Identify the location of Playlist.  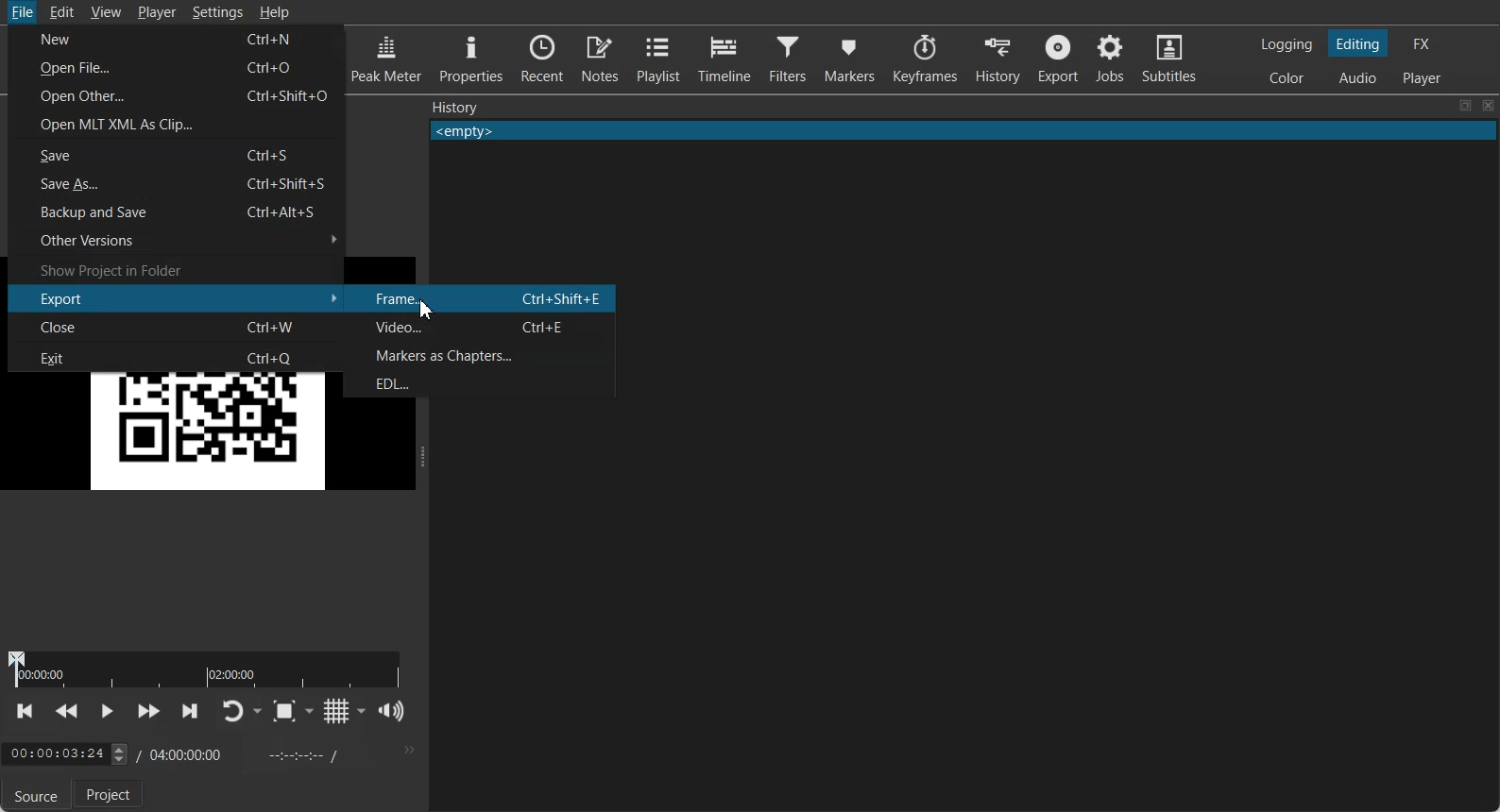
(657, 58).